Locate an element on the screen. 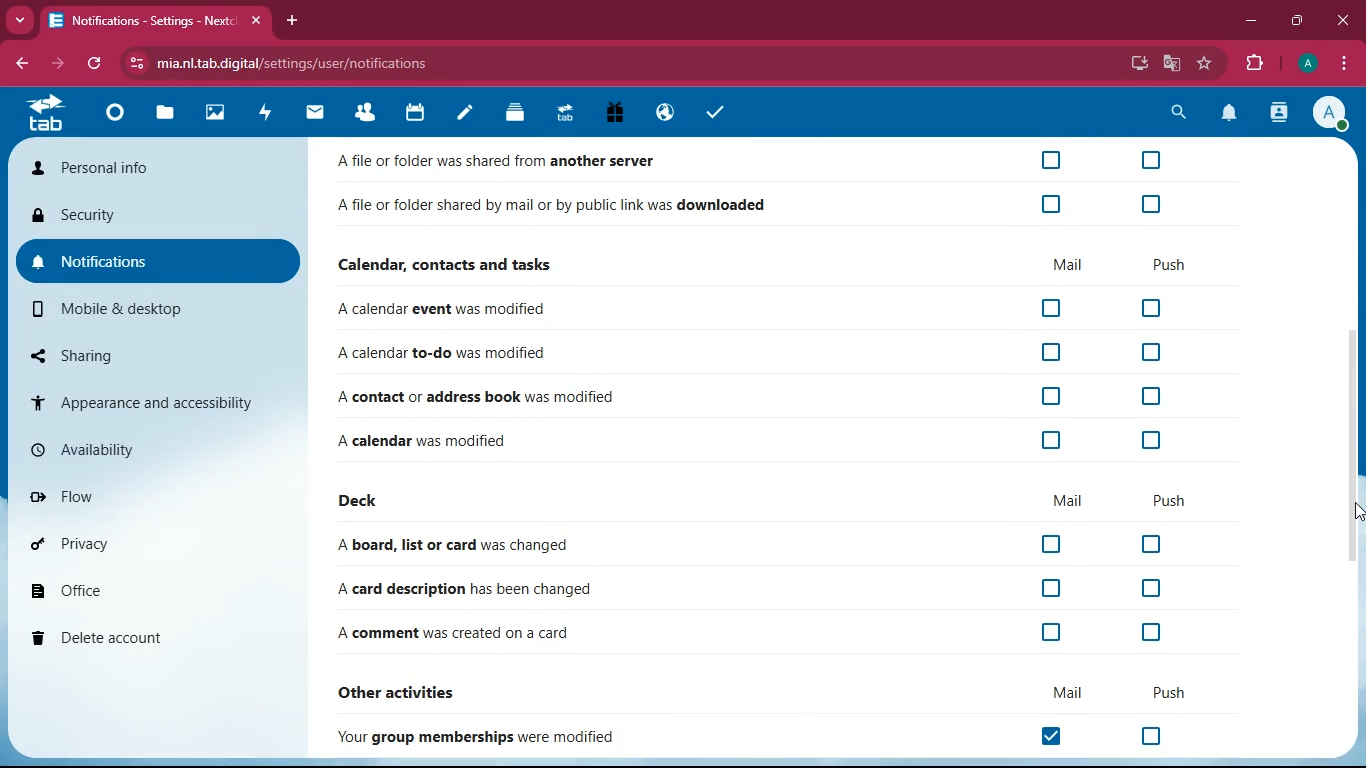  A calendar event was modified is located at coordinates (447, 310).